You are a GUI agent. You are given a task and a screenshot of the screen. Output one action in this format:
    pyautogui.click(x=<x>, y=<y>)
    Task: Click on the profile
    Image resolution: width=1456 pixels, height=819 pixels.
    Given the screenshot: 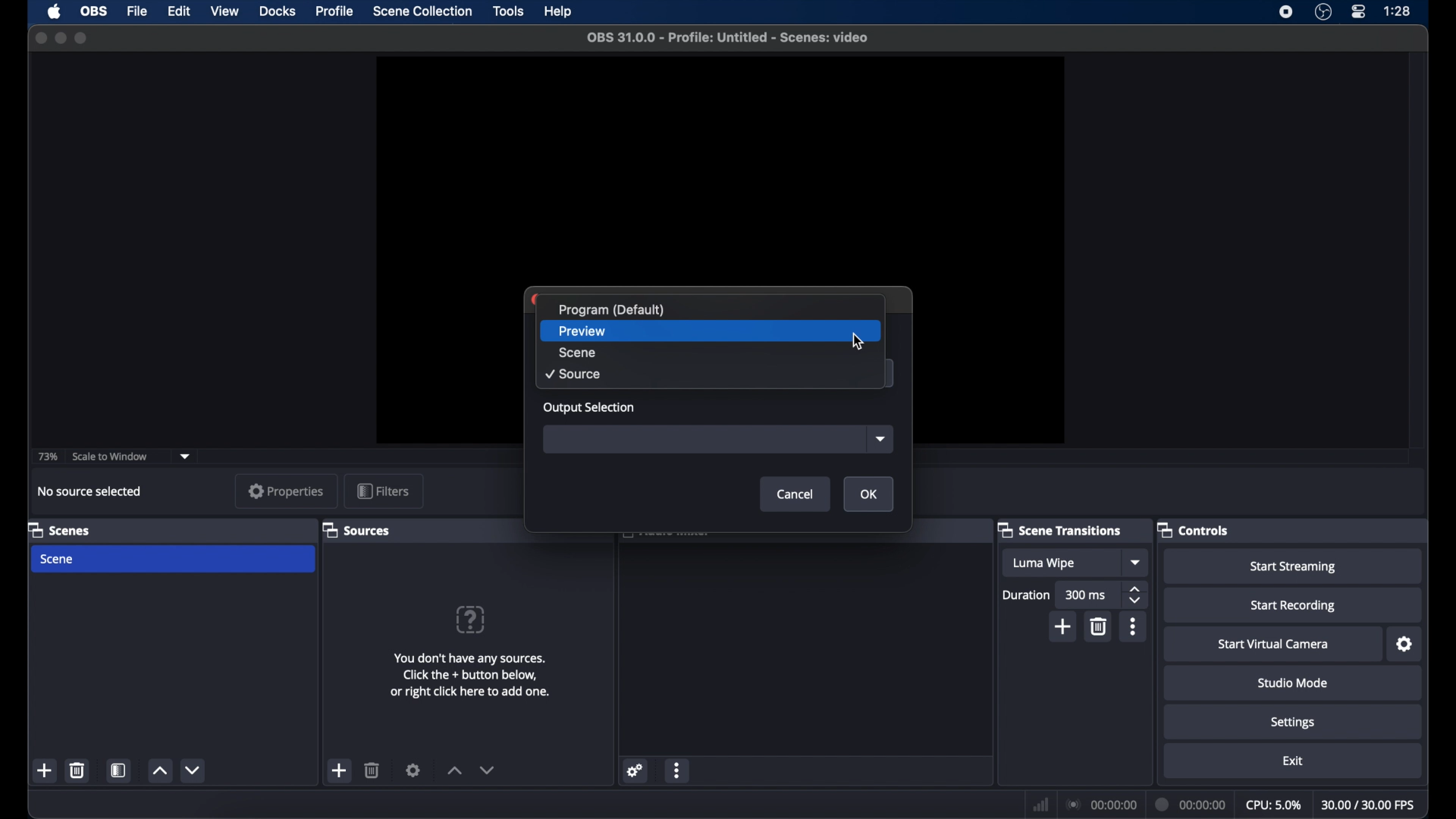 What is the action you would take?
    pyautogui.click(x=335, y=11)
    